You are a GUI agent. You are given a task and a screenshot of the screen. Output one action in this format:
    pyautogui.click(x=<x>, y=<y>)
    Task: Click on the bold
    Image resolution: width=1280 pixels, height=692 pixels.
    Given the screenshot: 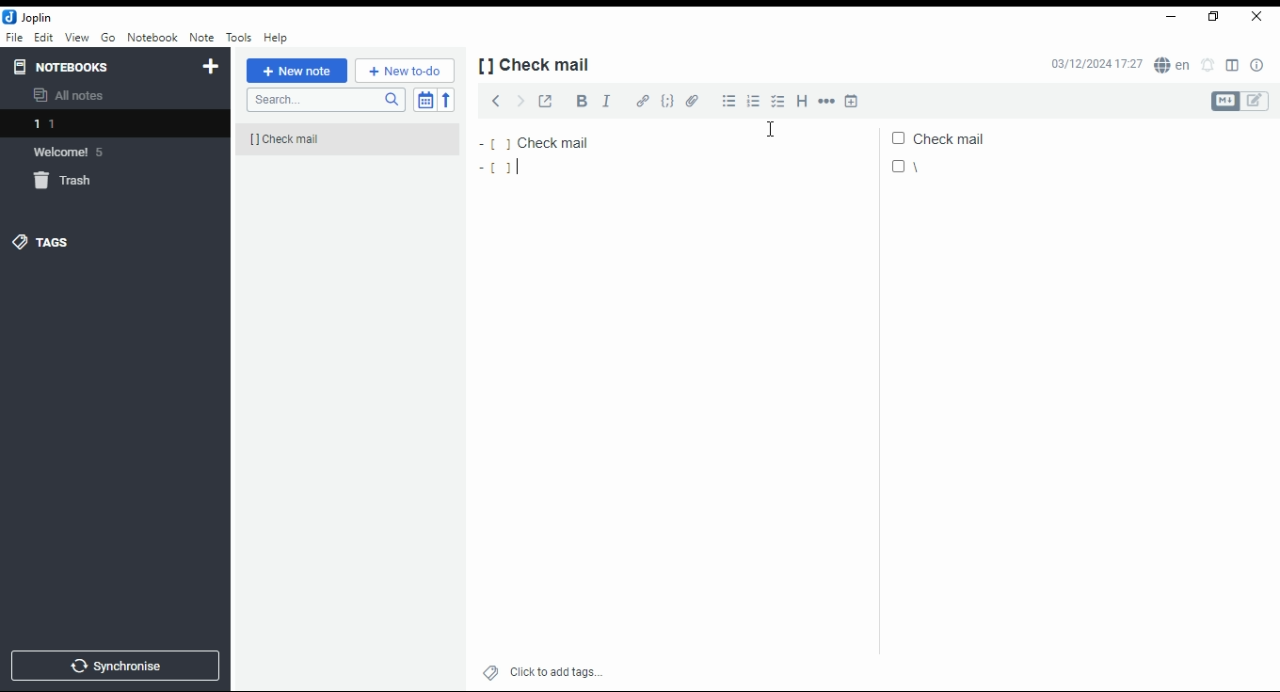 What is the action you would take?
    pyautogui.click(x=578, y=101)
    